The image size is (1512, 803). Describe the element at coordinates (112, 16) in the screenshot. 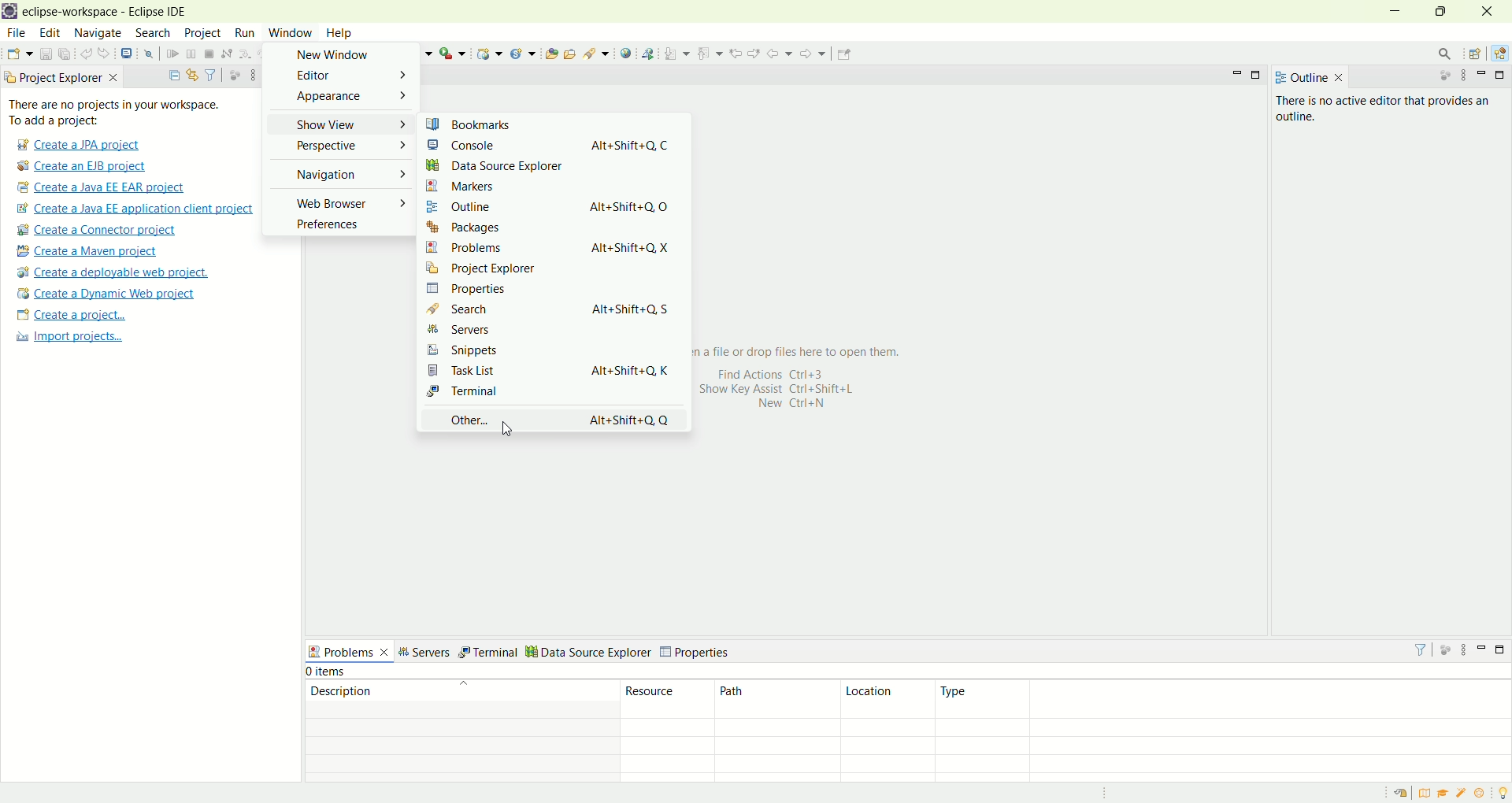

I see `eclipse-workspace-Eclipse-IDE` at that location.